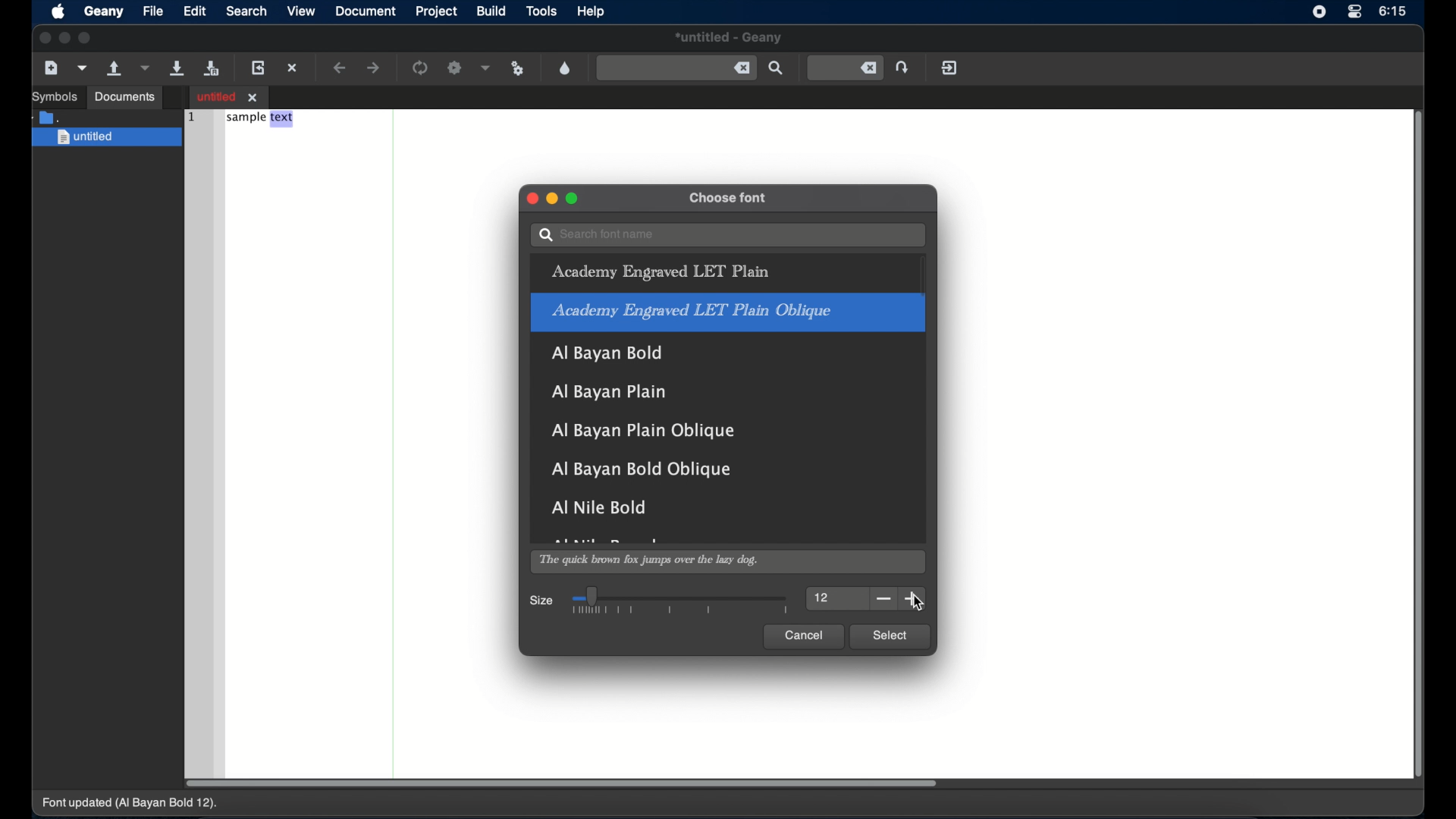 Image resolution: width=1456 pixels, height=819 pixels. What do you see at coordinates (55, 97) in the screenshot?
I see `symbols` at bounding box center [55, 97].